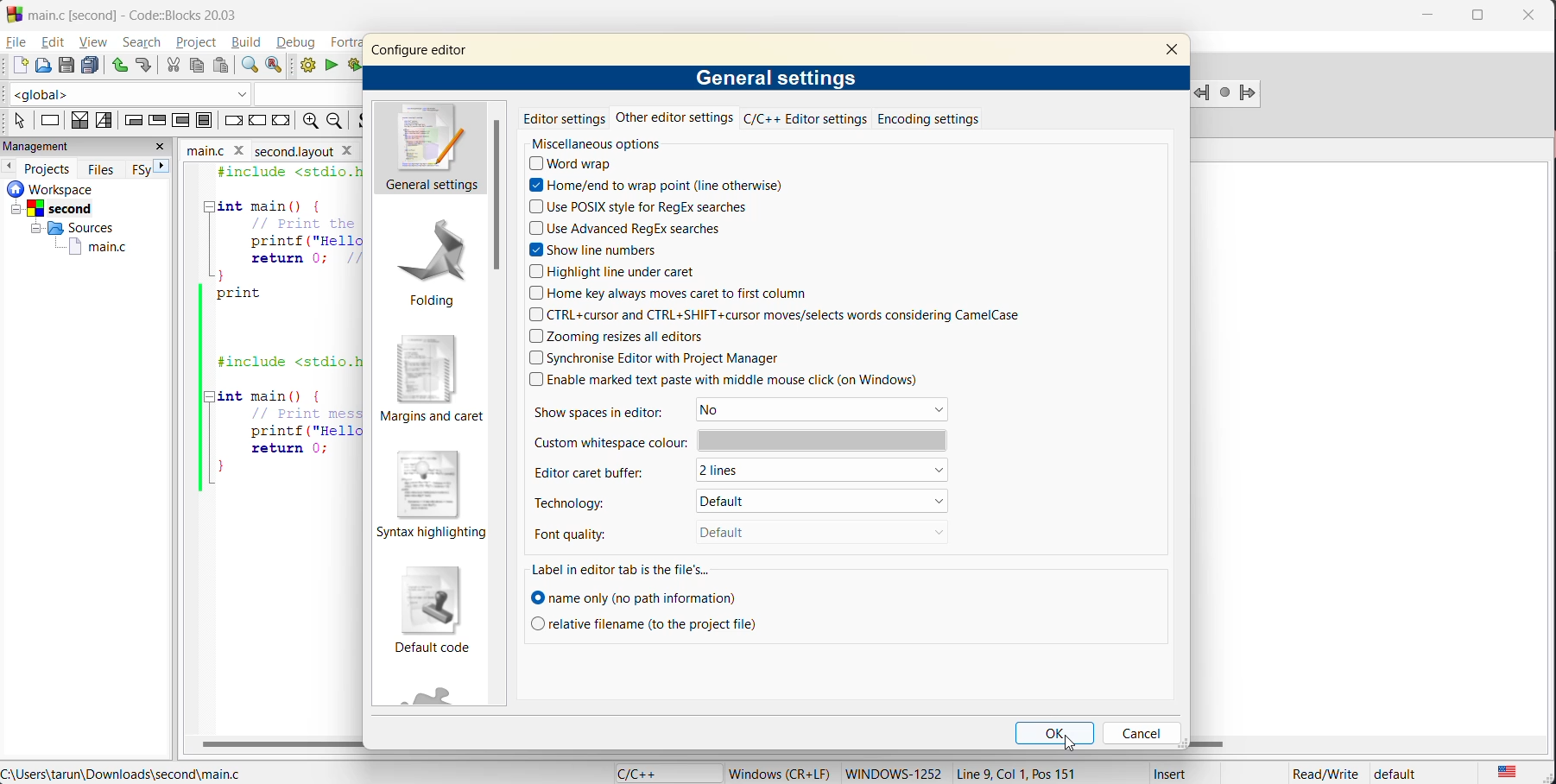 The width and height of the screenshot is (1556, 784). What do you see at coordinates (79, 121) in the screenshot?
I see `decision` at bounding box center [79, 121].